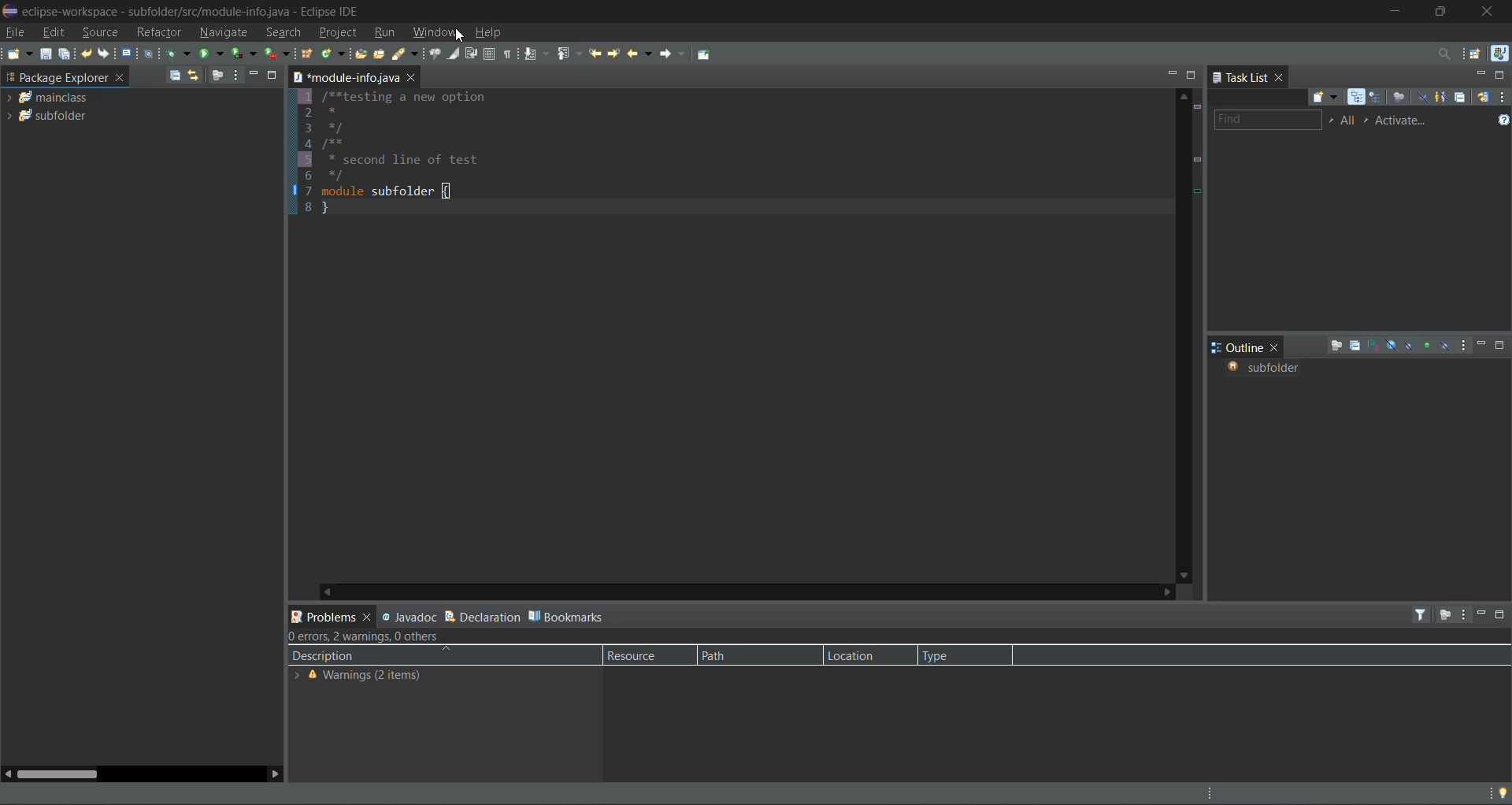 The width and height of the screenshot is (1512, 805). What do you see at coordinates (1441, 98) in the screenshot?
I see `show only my tasks` at bounding box center [1441, 98].